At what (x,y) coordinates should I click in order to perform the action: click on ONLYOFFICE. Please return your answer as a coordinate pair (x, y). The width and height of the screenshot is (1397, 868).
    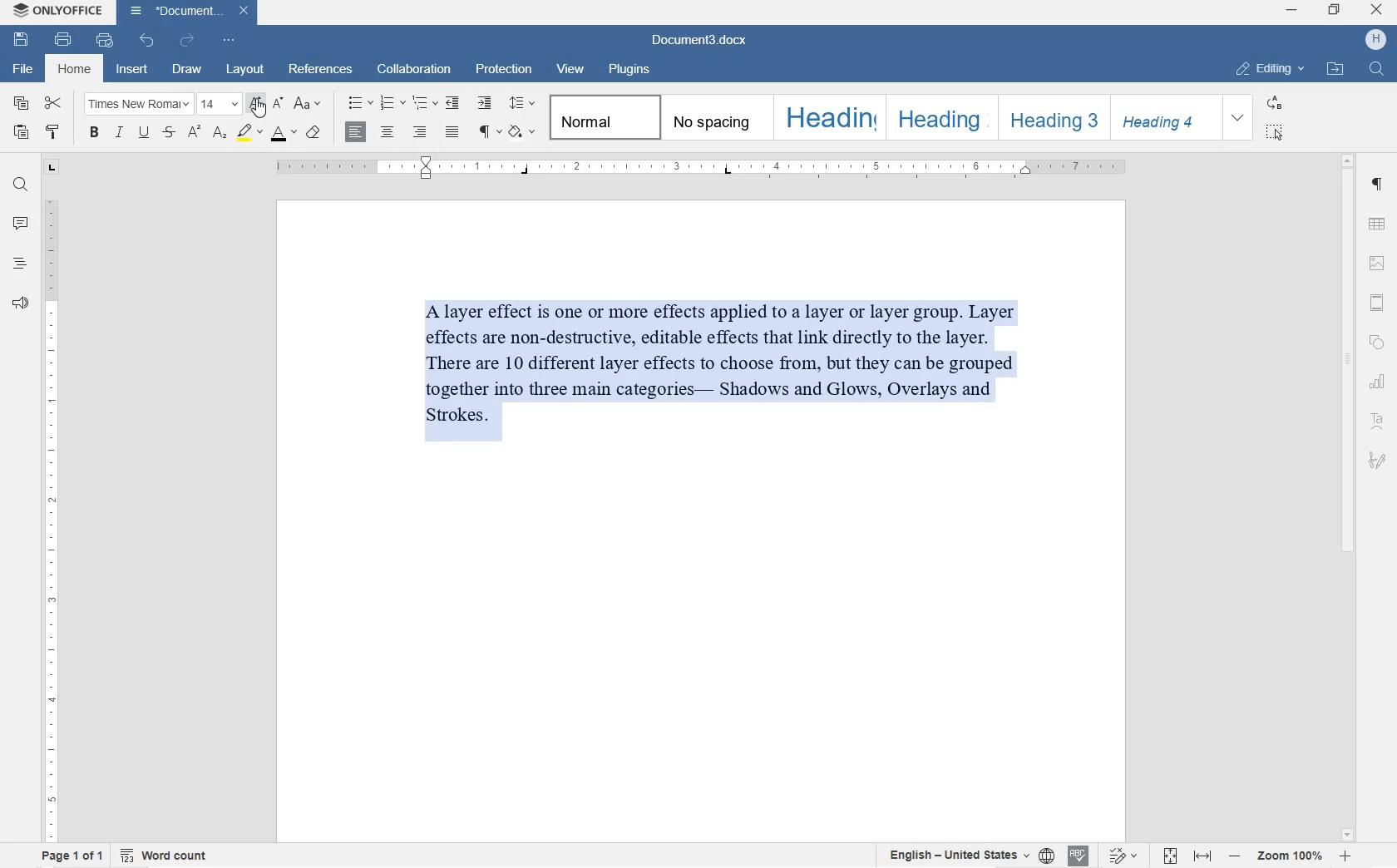
    Looking at the image, I should click on (57, 11).